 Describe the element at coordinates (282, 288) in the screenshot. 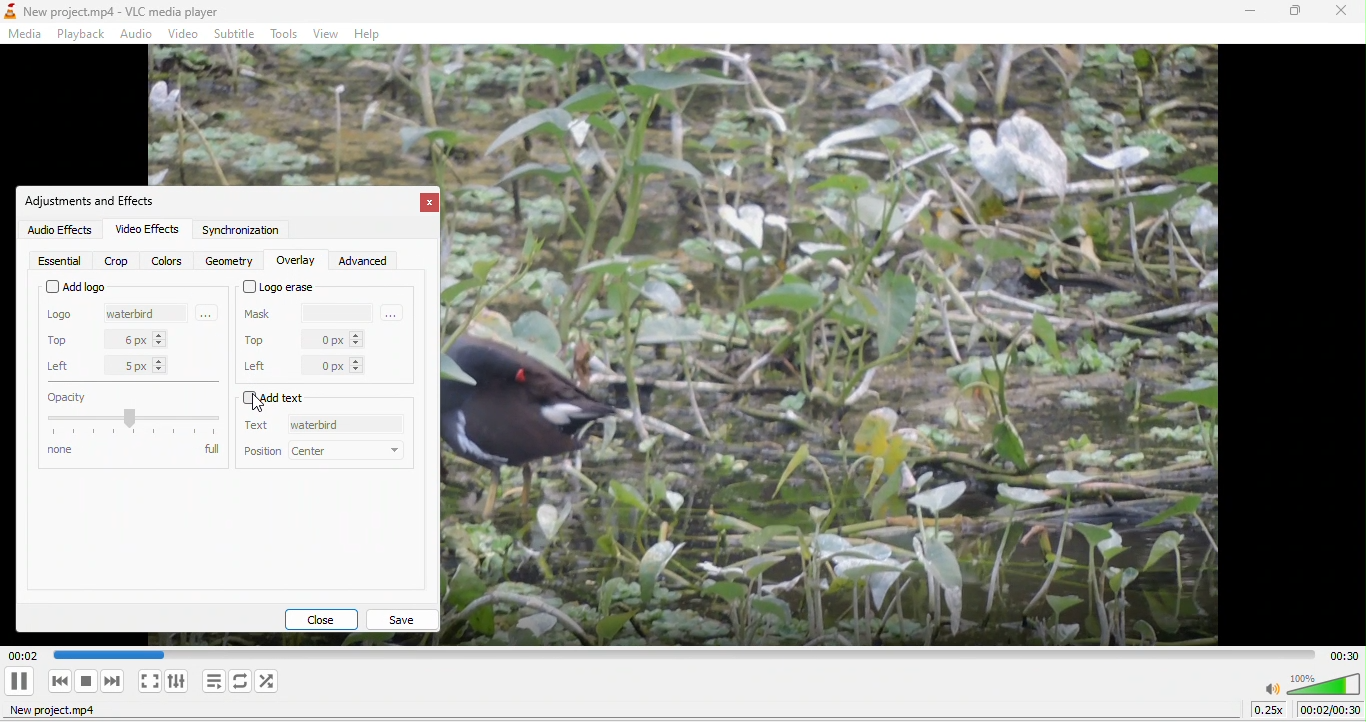

I see `logo erase` at that location.